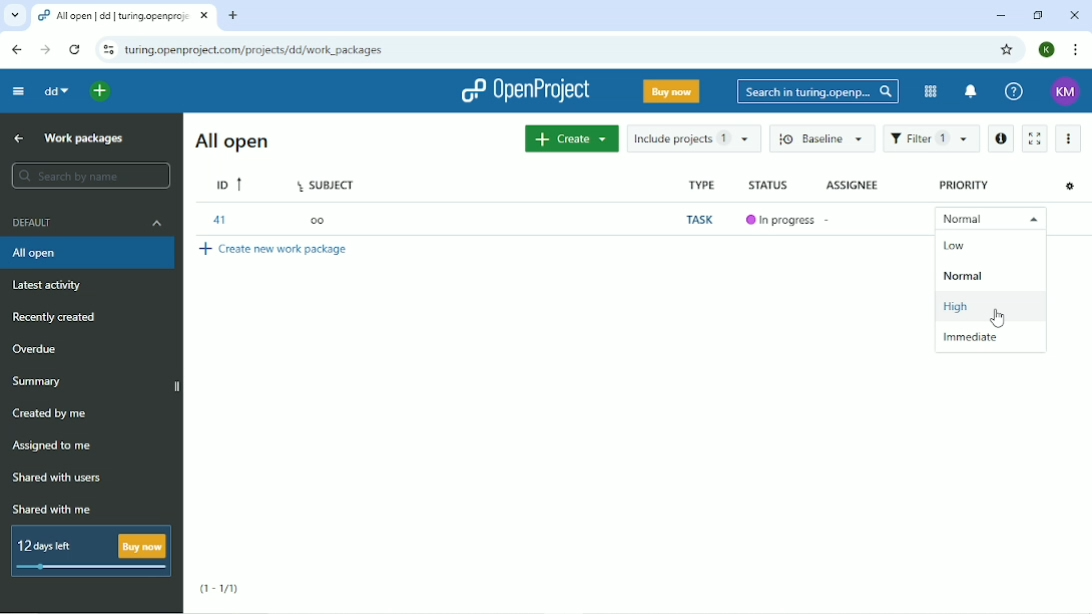 Image resolution: width=1092 pixels, height=614 pixels. What do you see at coordinates (40, 382) in the screenshot?
I see `Summary` at bounding box center [40, 382].